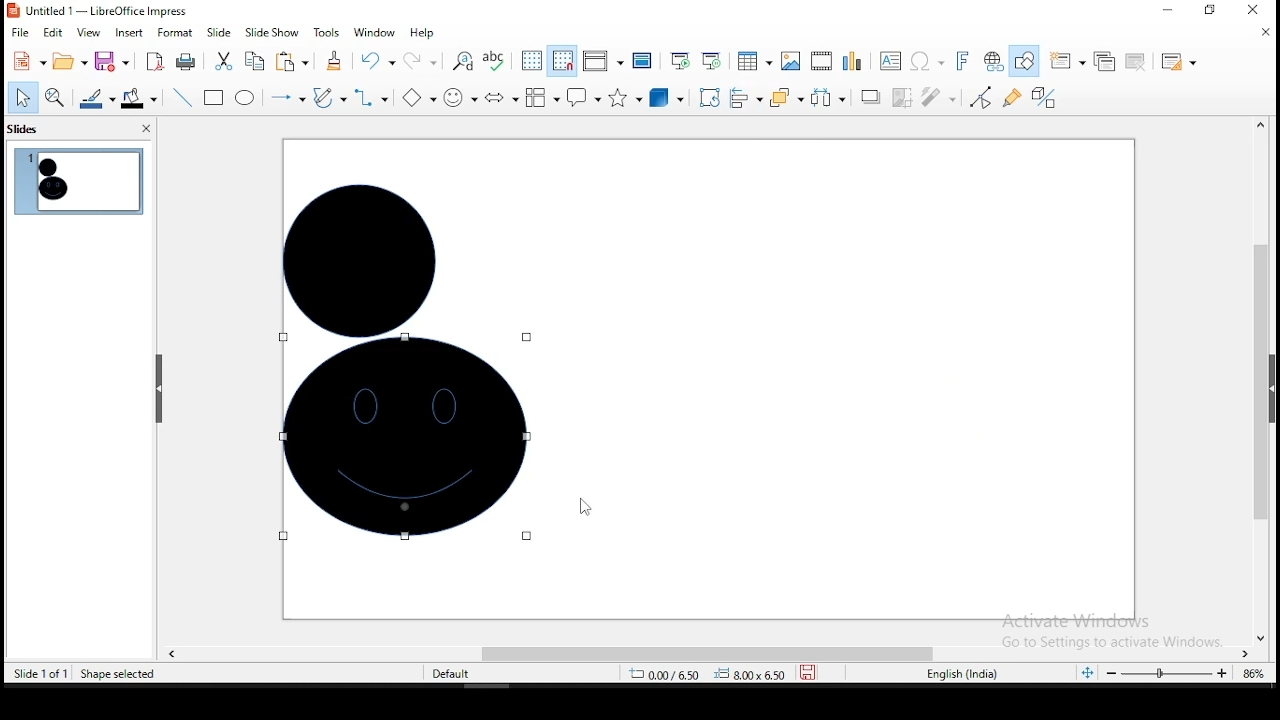 This screenshot has height=720, width=1280. Describe the element at coordinates (372, 32) in the screenshot. I see `window` at that location.